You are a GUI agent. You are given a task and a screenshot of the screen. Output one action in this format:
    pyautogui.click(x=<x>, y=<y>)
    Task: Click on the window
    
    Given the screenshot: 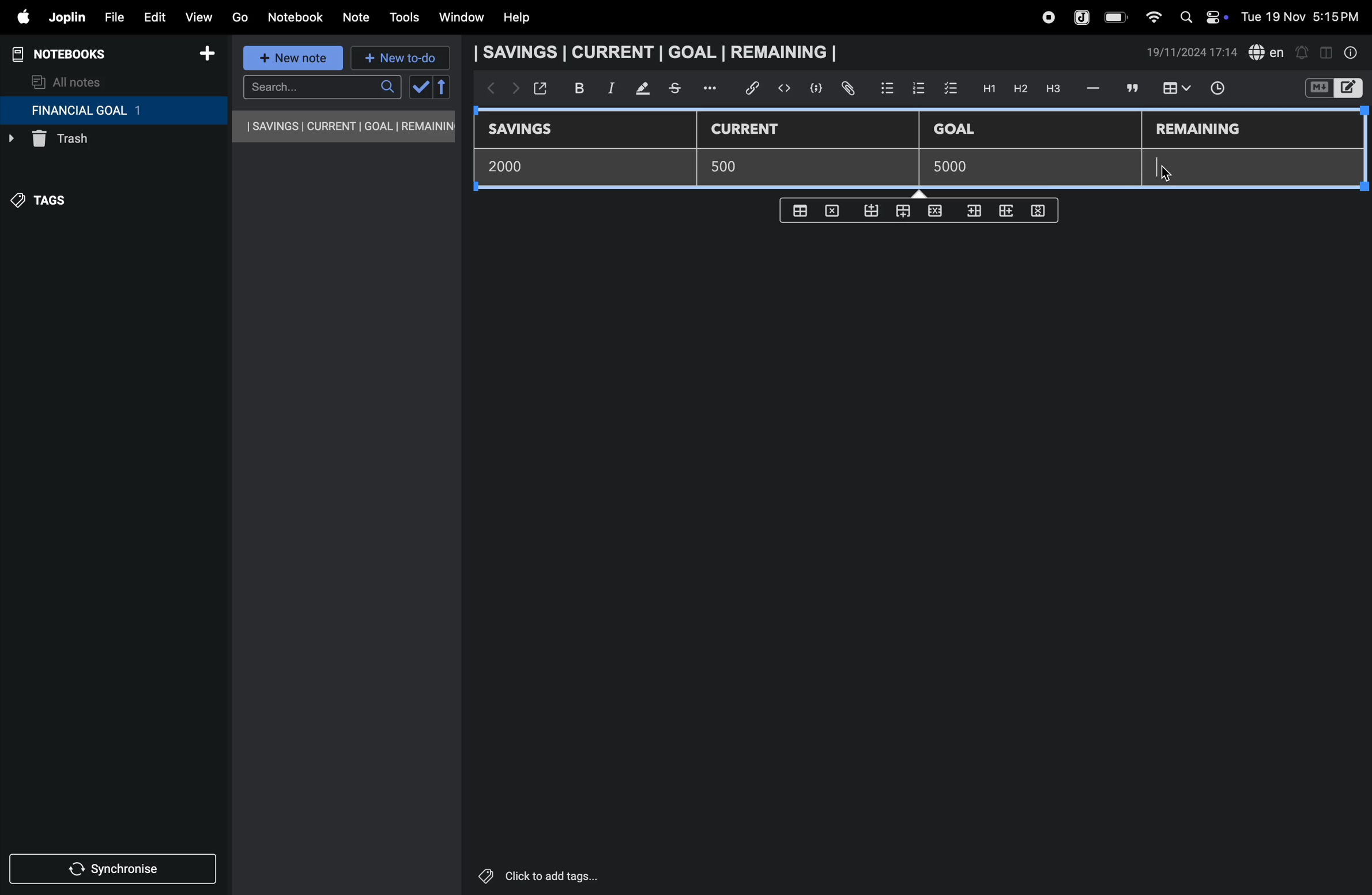 What is the action you would take?
    pyautogui.click(x=460, y=18)
    